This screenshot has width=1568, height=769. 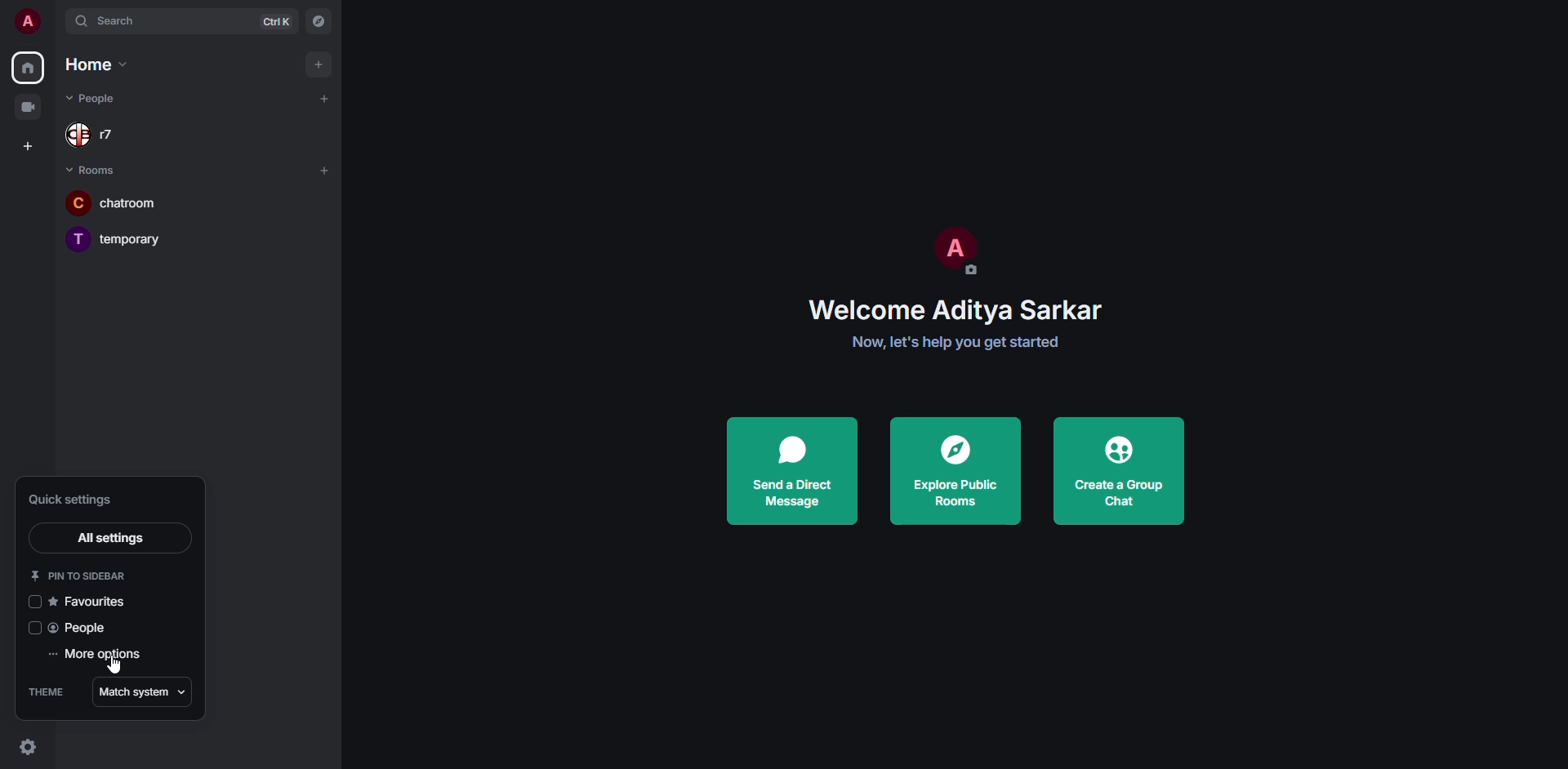 What do you see at coordinates (114, 669) in the screenshot?
I see `cursor` at bounding box center [114, 669].